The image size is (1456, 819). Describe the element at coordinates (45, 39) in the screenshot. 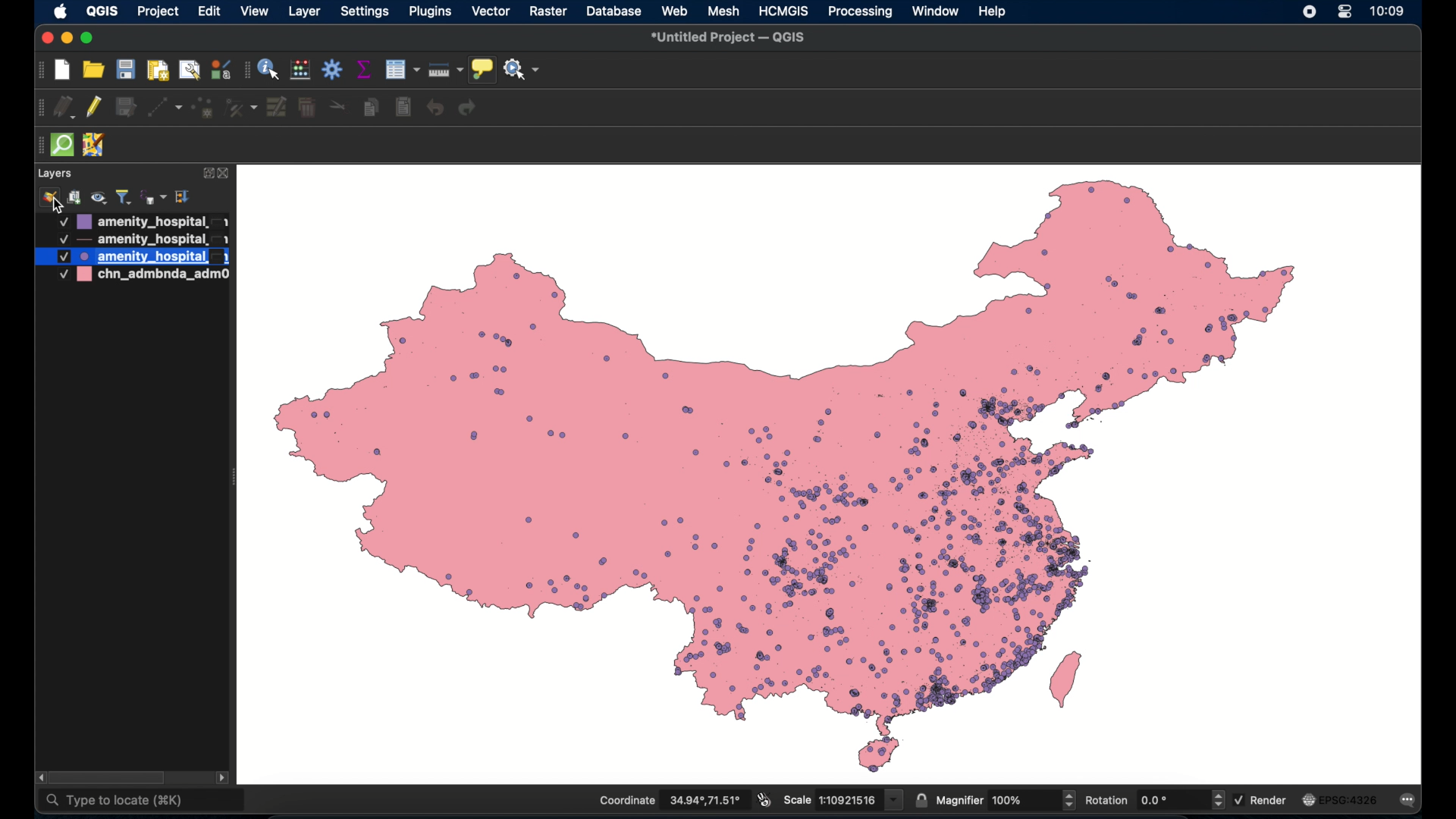

I see `close` at that location.